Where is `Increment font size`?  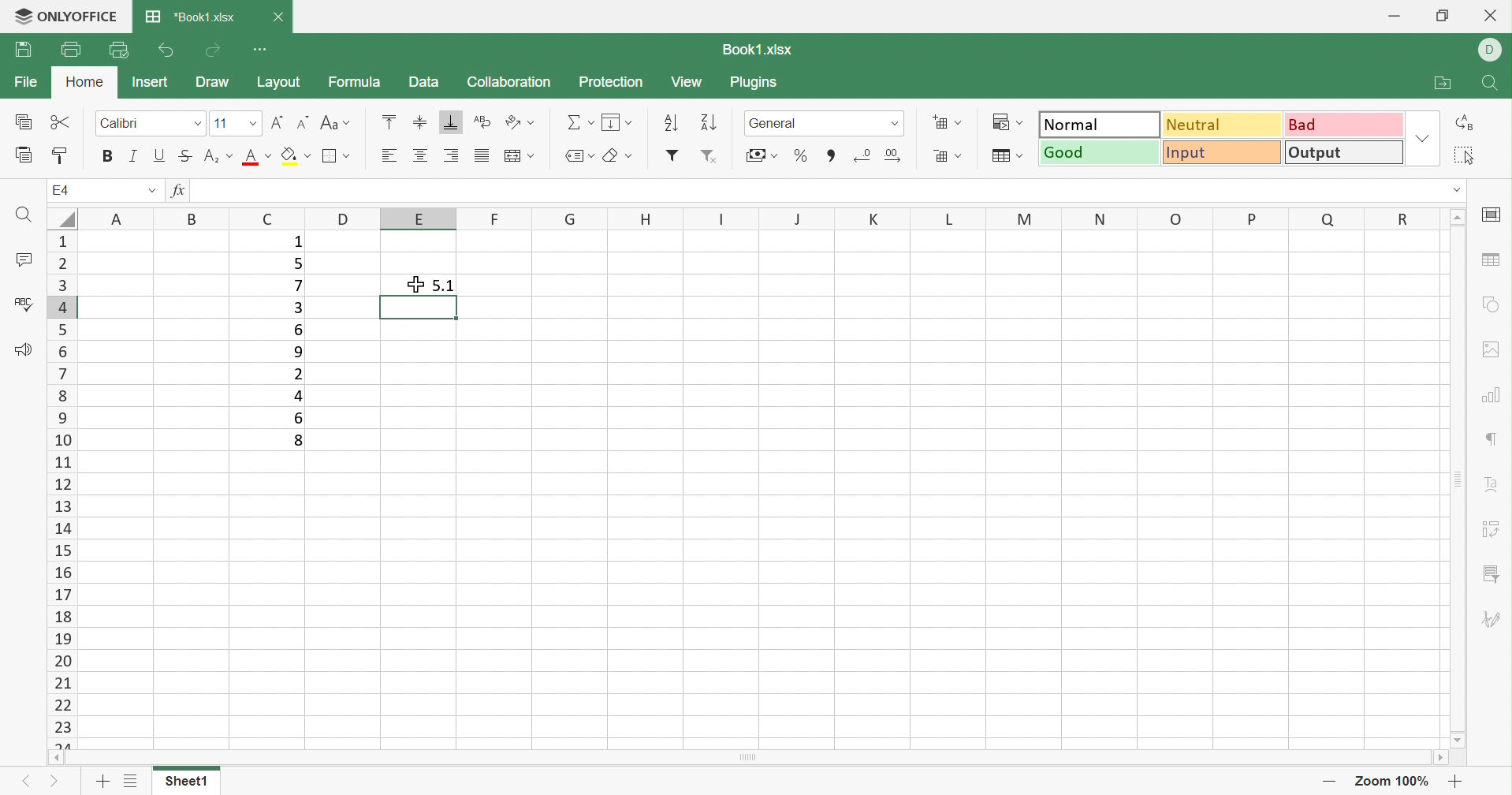
Increment font size is located at coordinates (277, 123).